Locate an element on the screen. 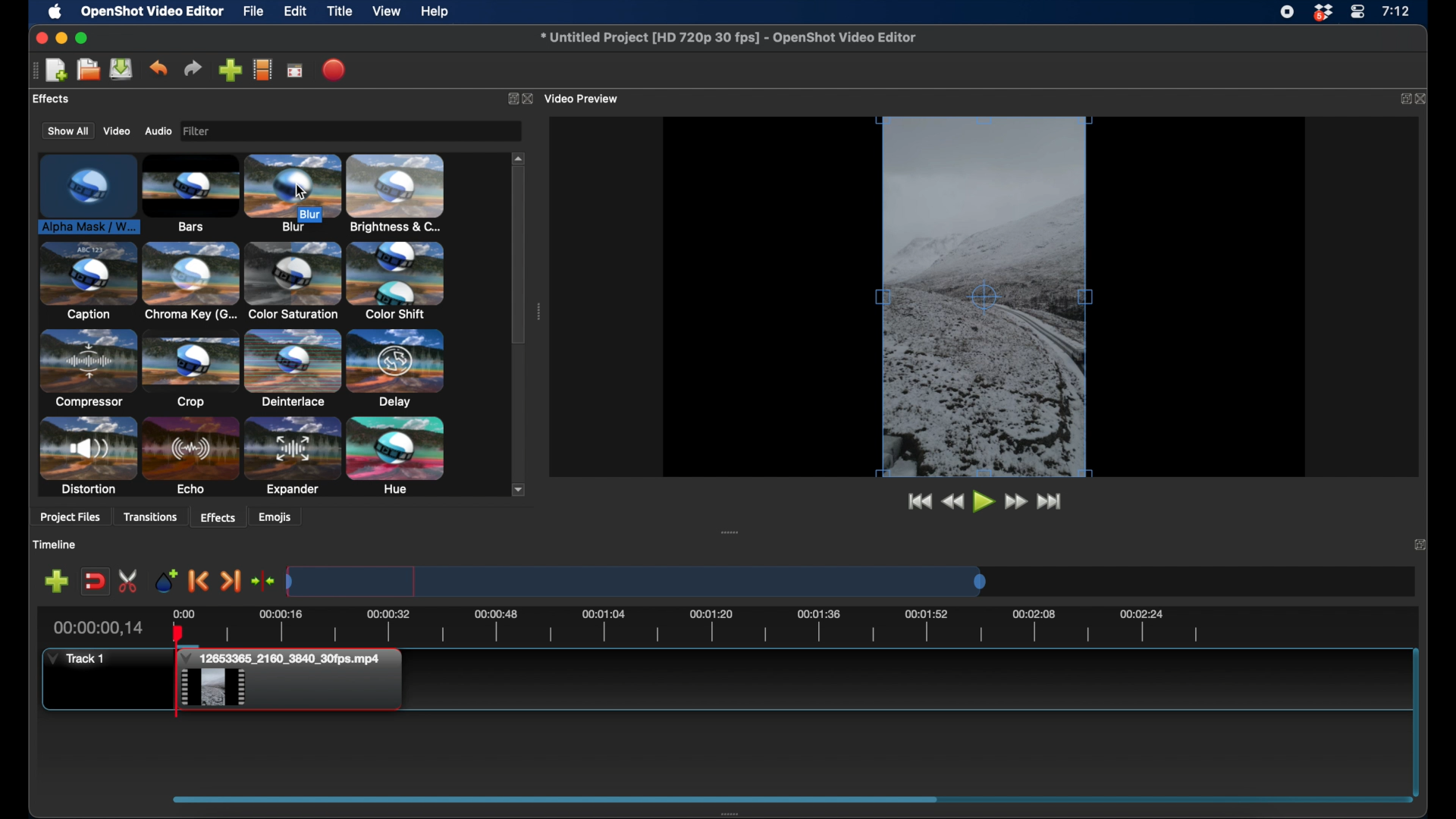  title is located at coordinates (340, 11).